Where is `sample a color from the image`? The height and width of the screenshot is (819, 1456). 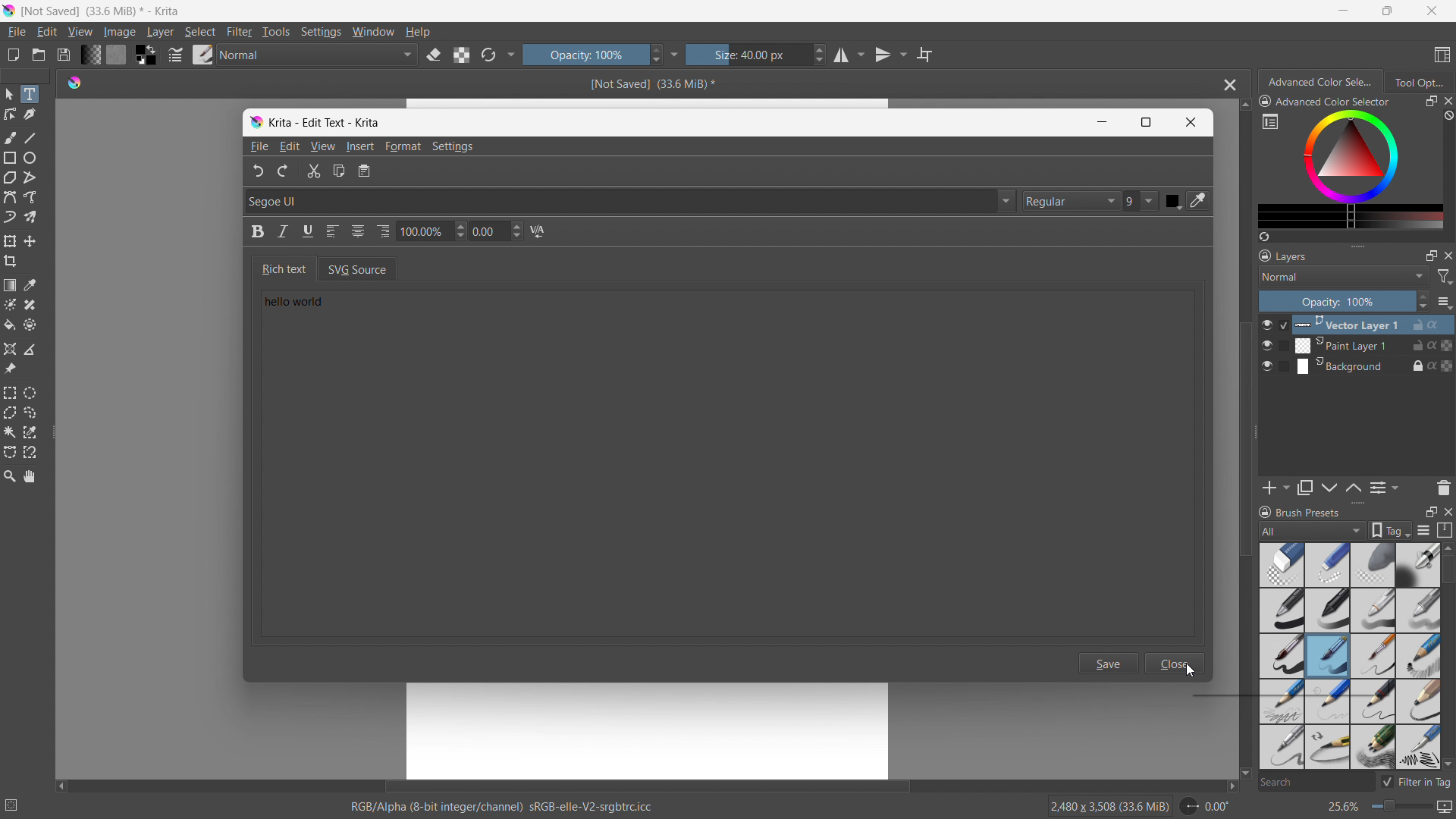
sample a color from the image is located at coordinates (30, 285).